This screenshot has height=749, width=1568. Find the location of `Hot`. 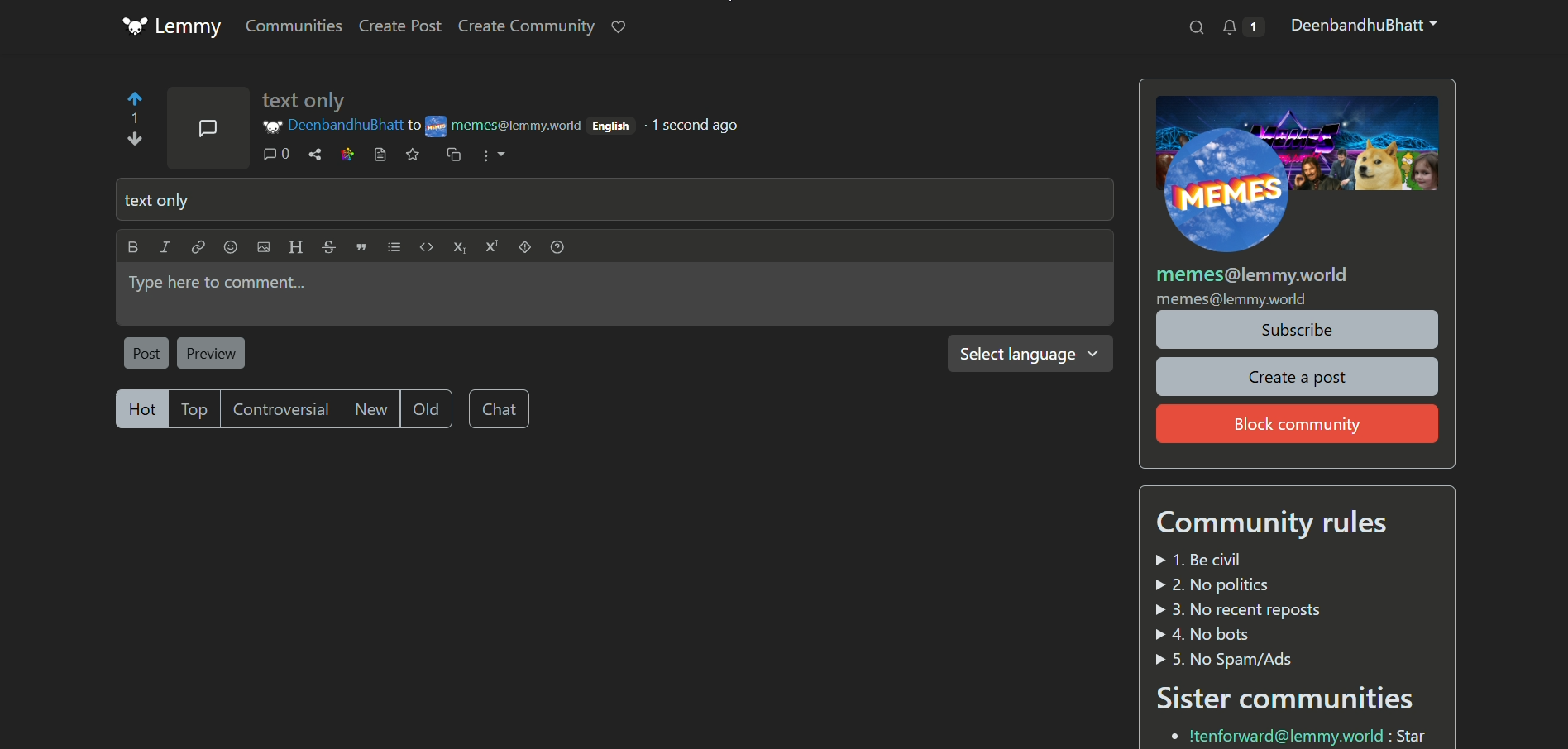

Hot is located at coordinates (143, 408).